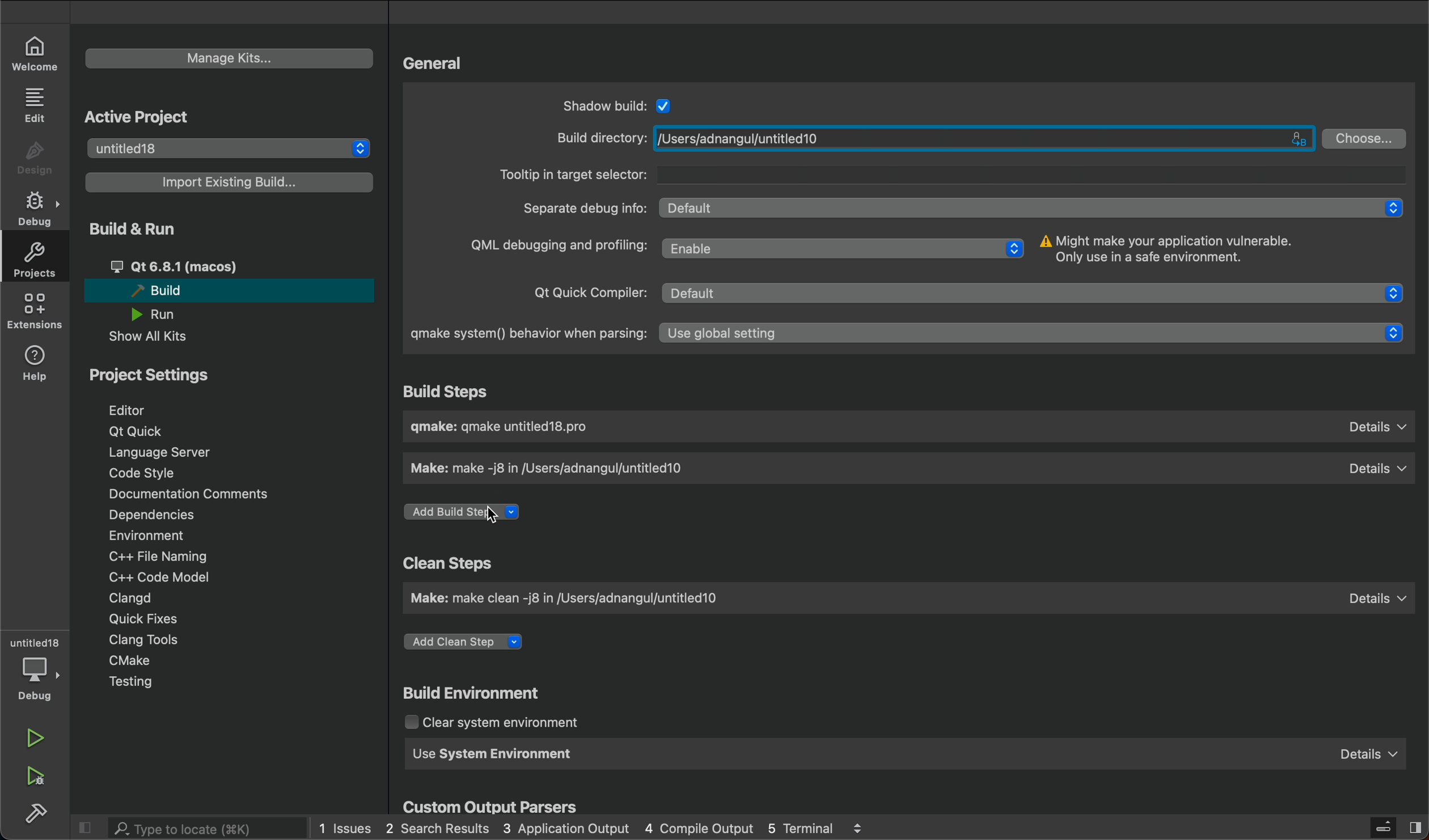  Describe the element at coordinates (1035, 334) in the screenshot. I see `Use global setting` at that location.